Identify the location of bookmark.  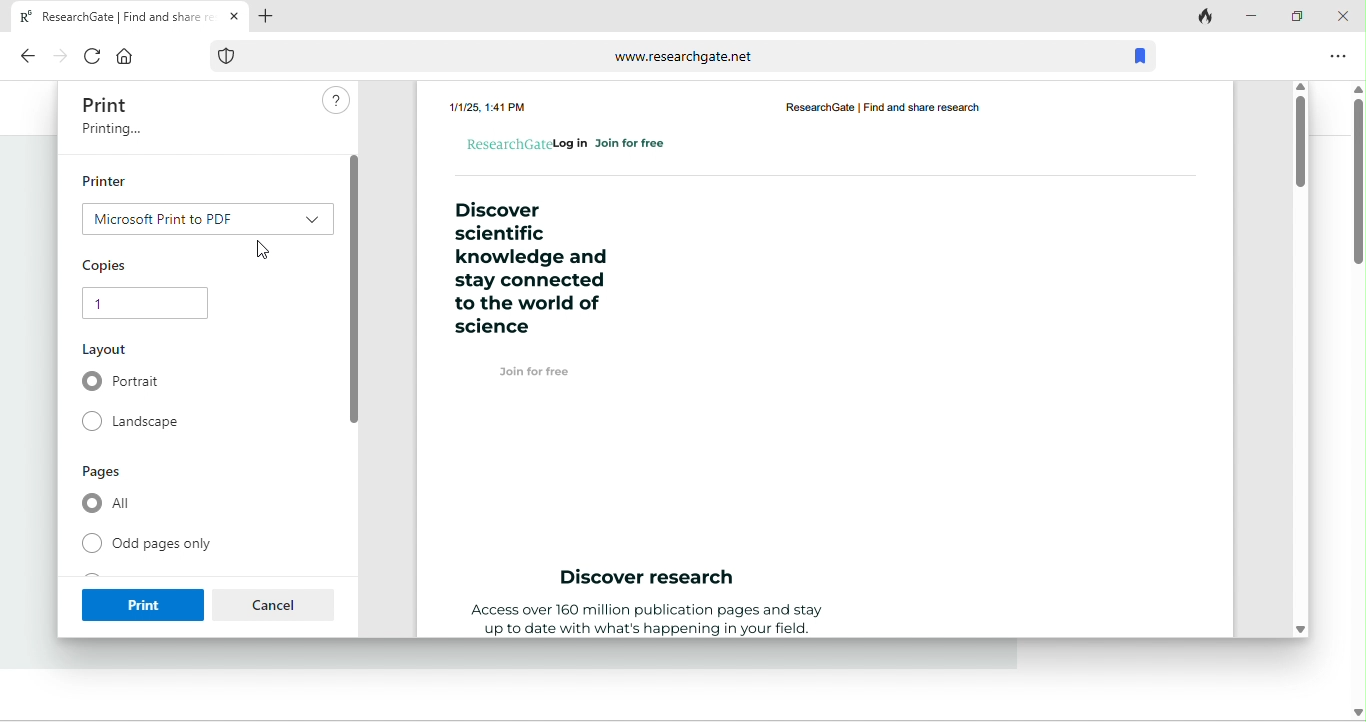
(1141, 54).